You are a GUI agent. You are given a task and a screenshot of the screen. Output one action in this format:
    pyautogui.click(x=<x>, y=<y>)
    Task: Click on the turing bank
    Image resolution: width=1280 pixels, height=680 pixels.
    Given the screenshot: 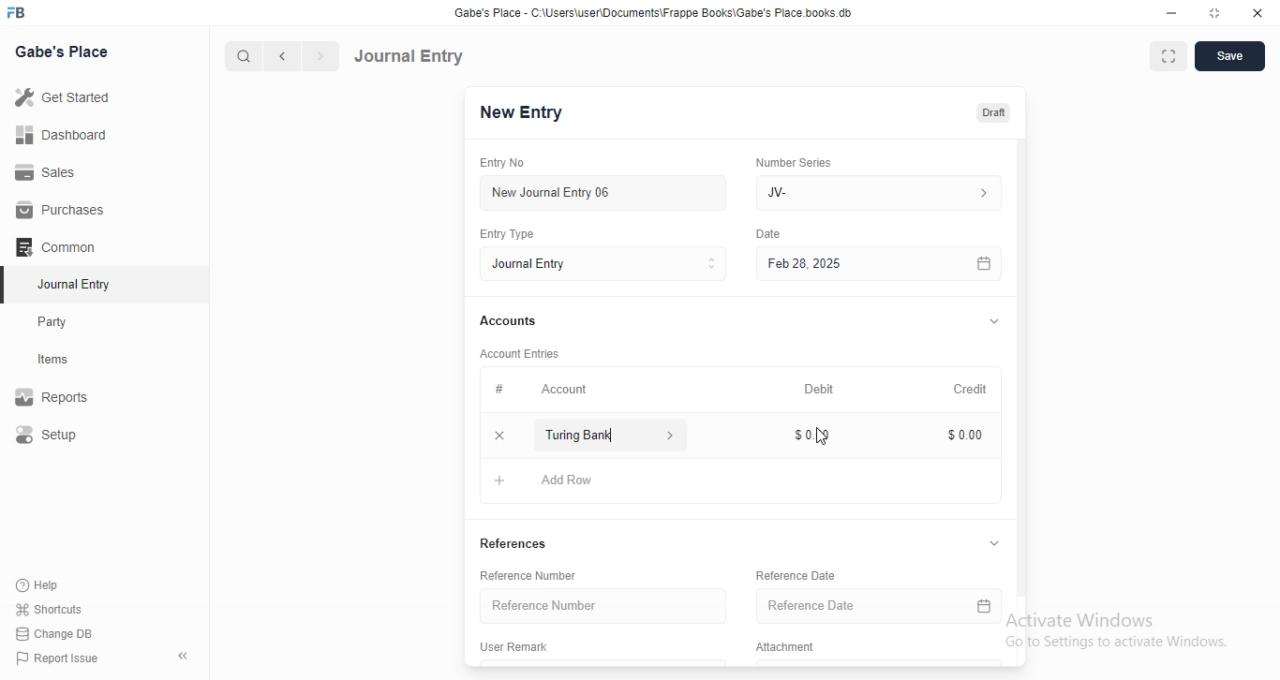 What is the action you would take?
    pyautogui.click(x=607, y=437)
    